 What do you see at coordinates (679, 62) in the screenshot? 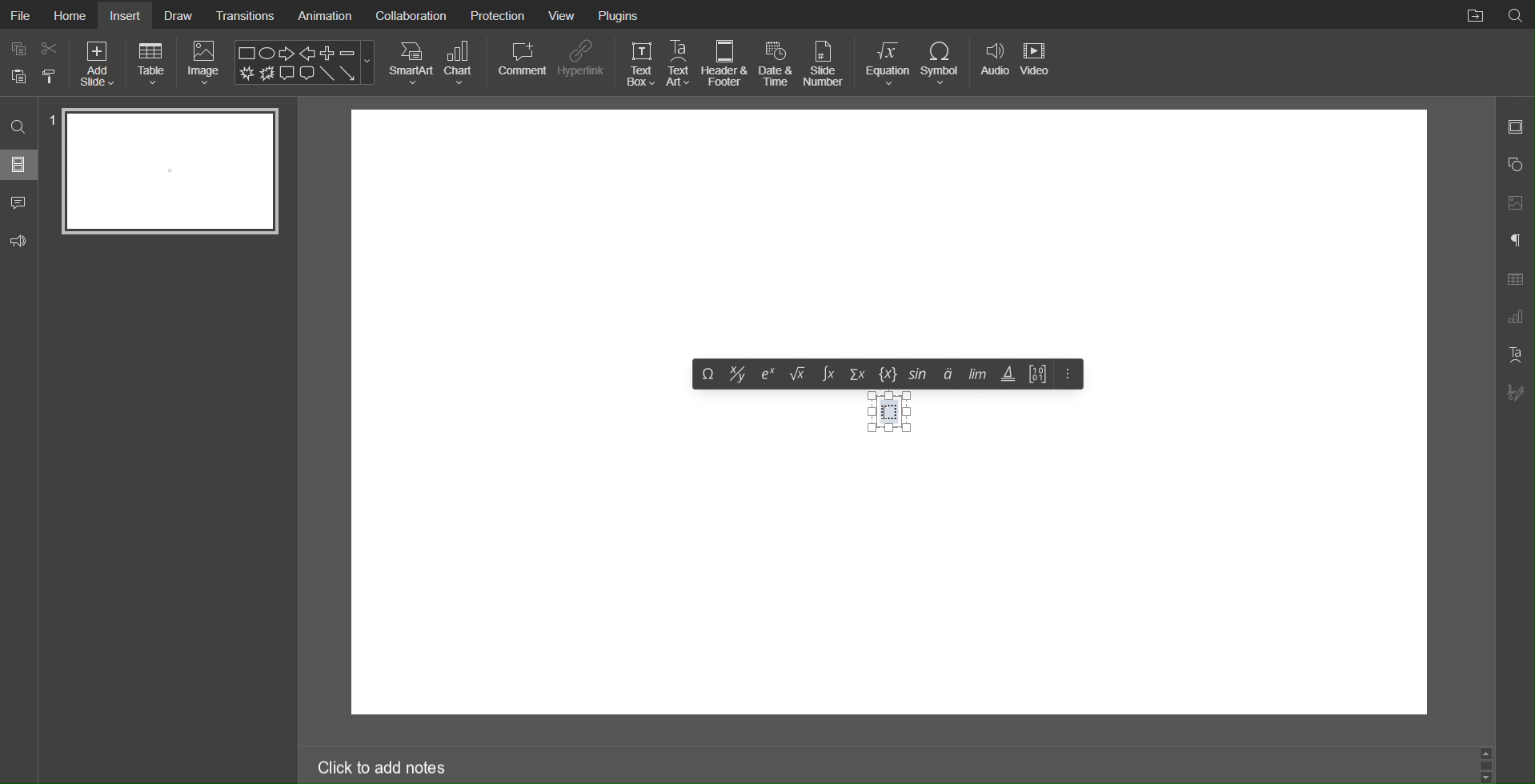
I see `Text Art` at bounding box center [679, 62].